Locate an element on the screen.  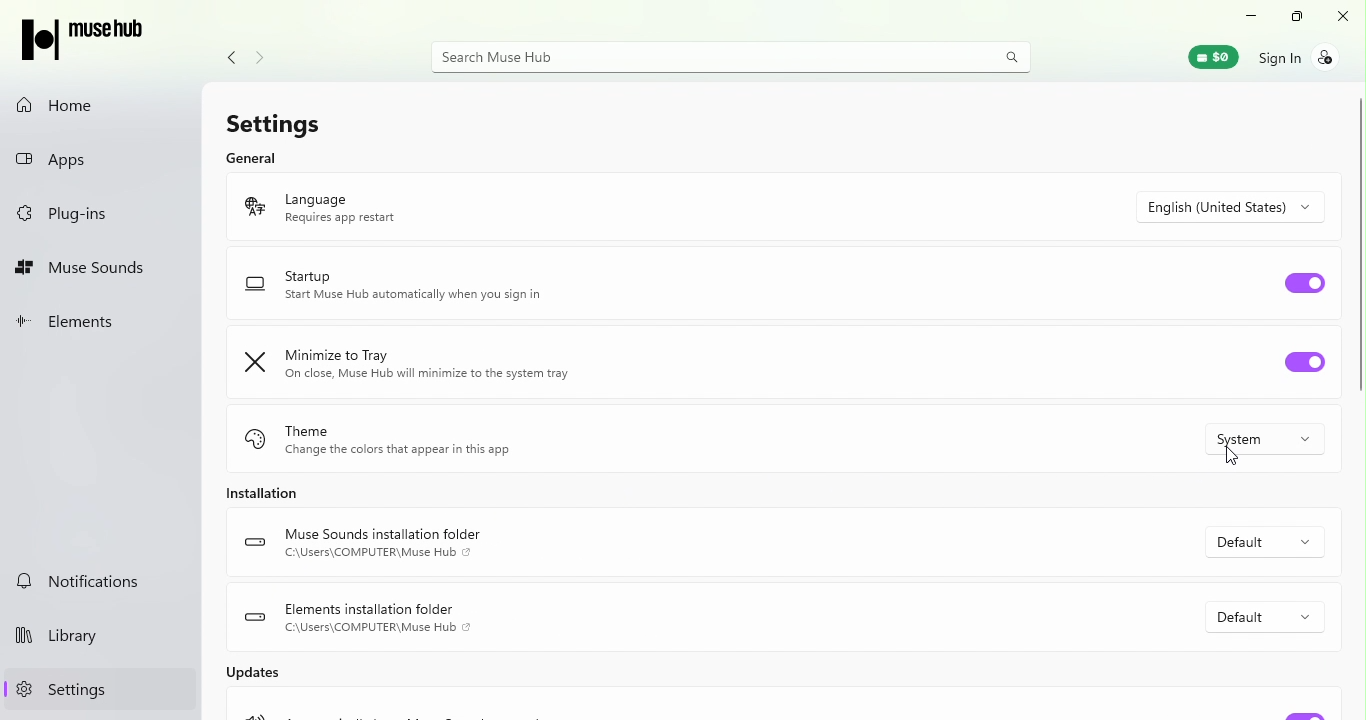
Settings is located at coordinates (66, 688).